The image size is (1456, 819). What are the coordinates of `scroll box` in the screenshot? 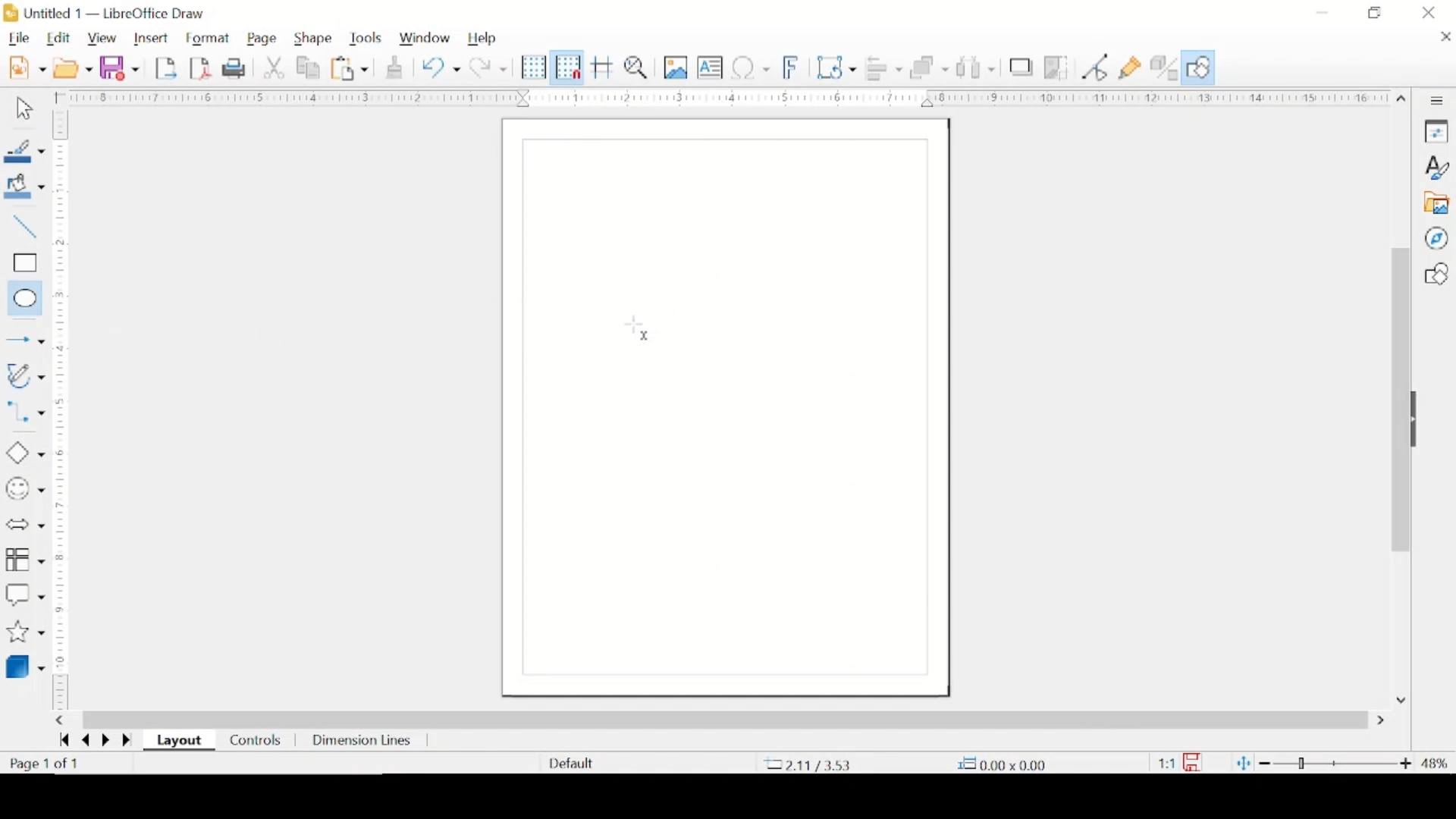 It's located at (726, 719).